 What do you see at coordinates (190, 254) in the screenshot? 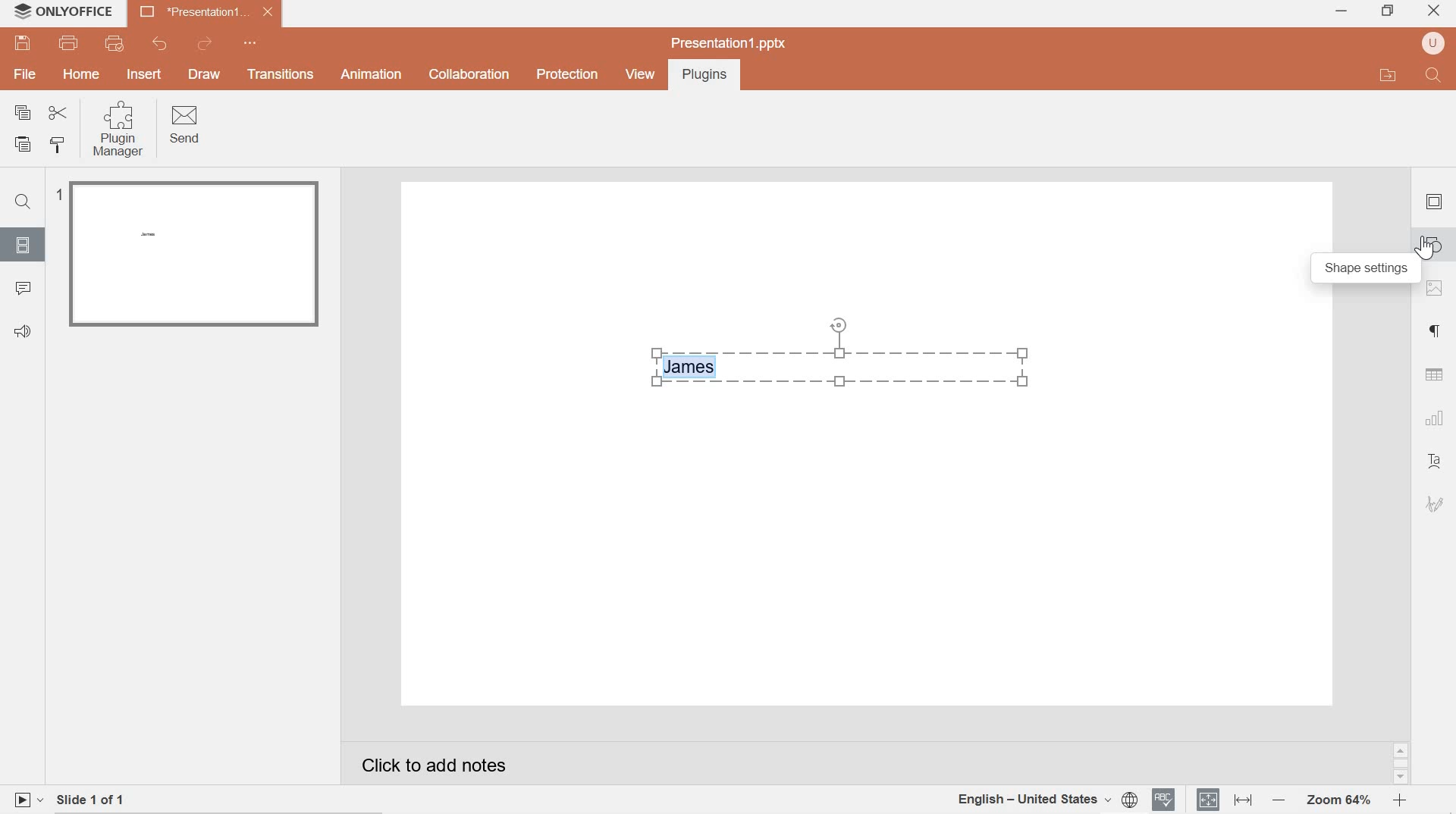
I see `slide 1` at bounding box center [190, 254].